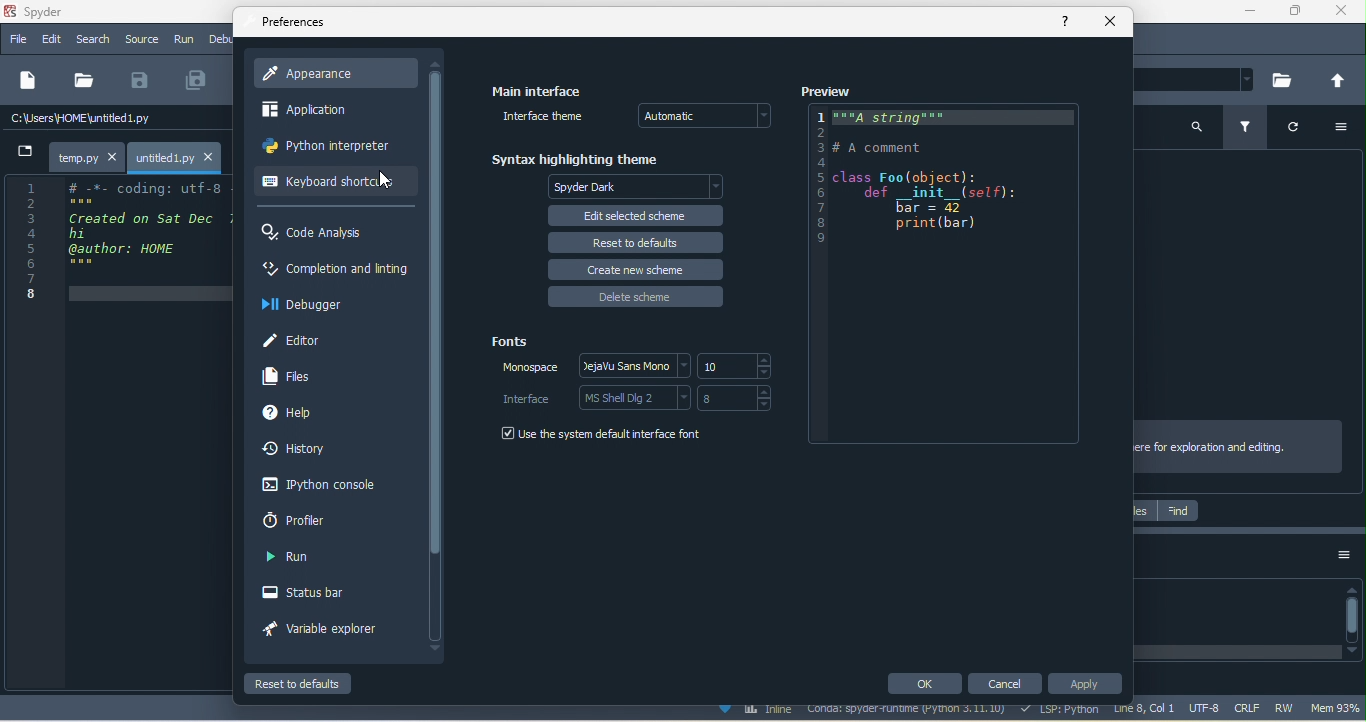  Describe the element at coordinates (1244, 706) in the screenshot. I see `crlf` at that location.